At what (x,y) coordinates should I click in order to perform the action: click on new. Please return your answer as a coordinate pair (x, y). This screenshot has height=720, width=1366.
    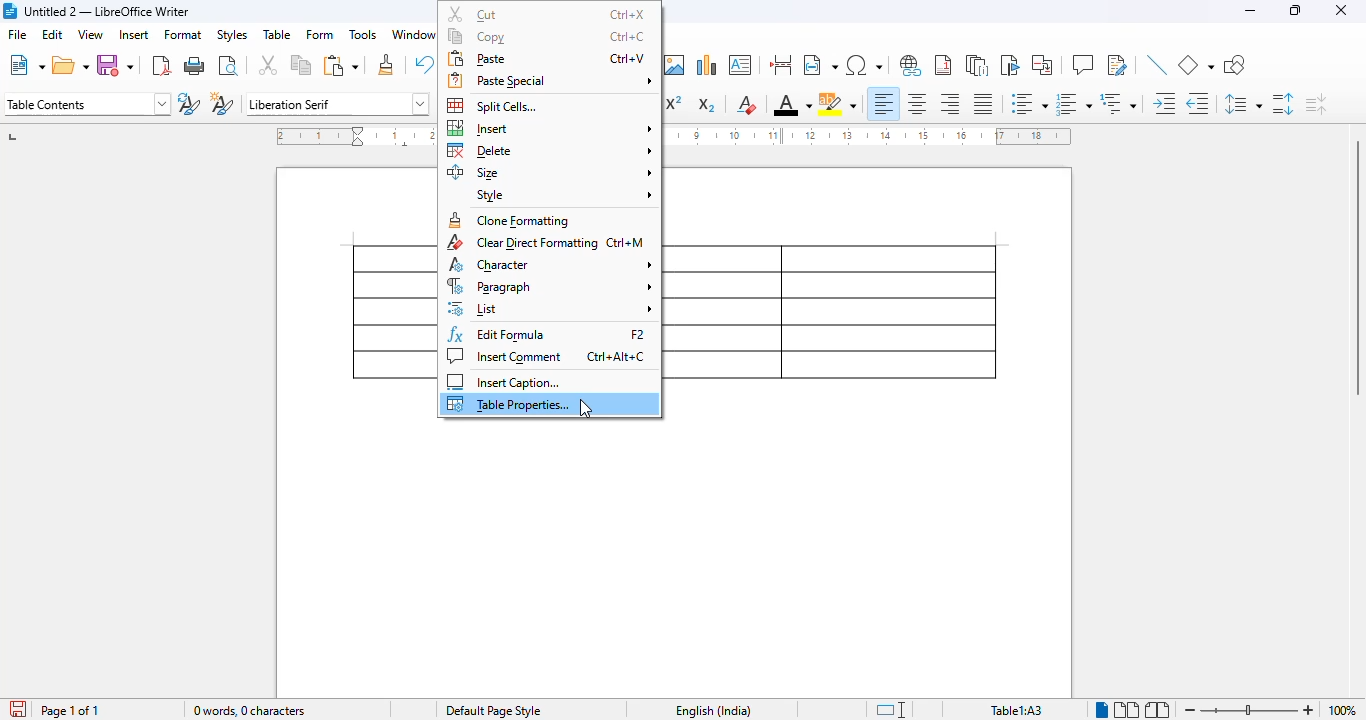
    Looking at the image, I should click on (27, 65).